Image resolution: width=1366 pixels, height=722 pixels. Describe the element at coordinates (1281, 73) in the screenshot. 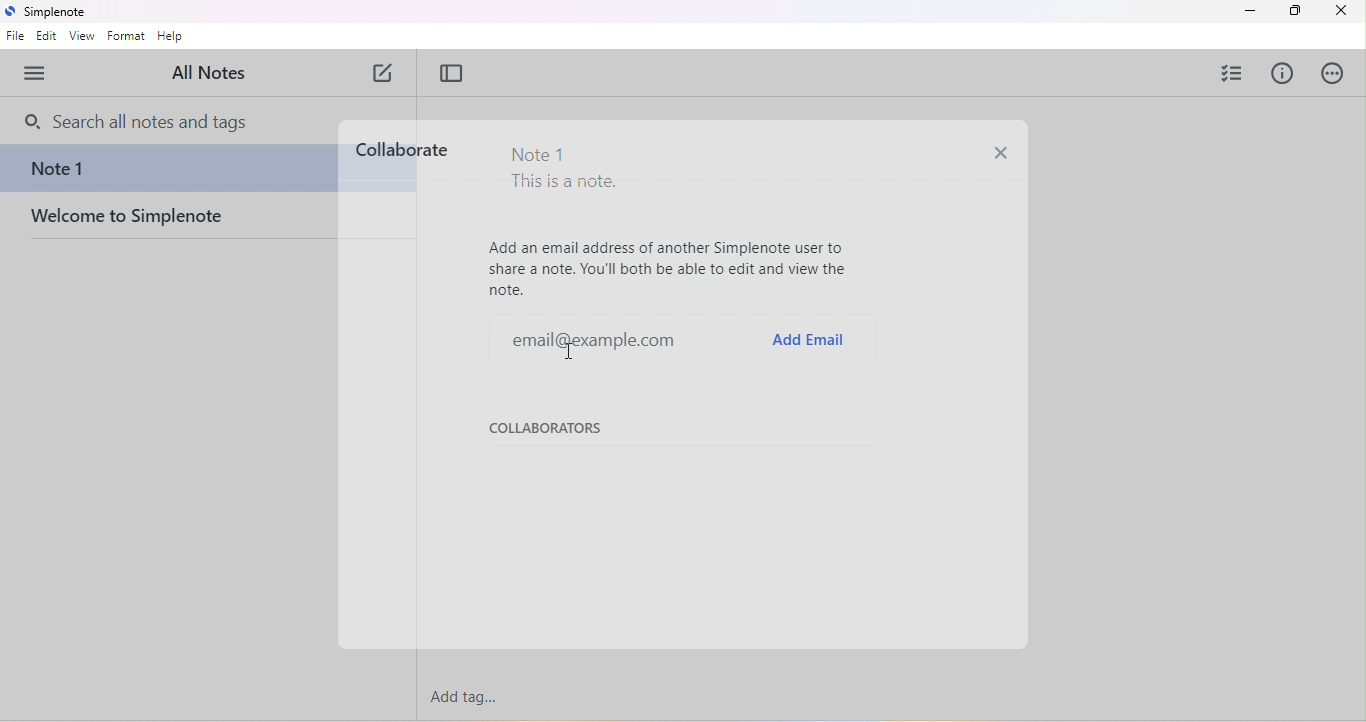

I see `info` at that location.